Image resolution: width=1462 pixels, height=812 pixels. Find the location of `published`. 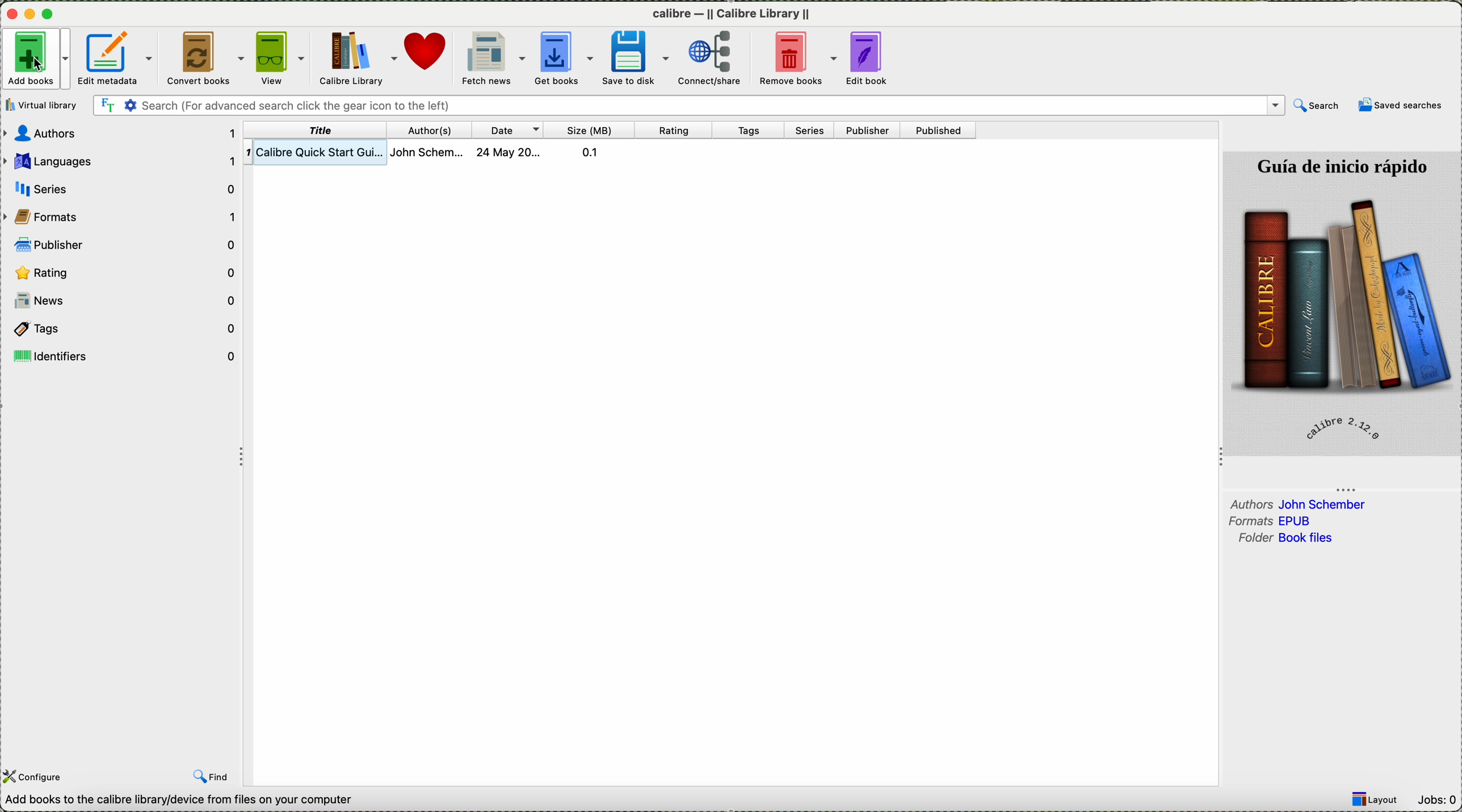

published is located at coordinates (942, 130).